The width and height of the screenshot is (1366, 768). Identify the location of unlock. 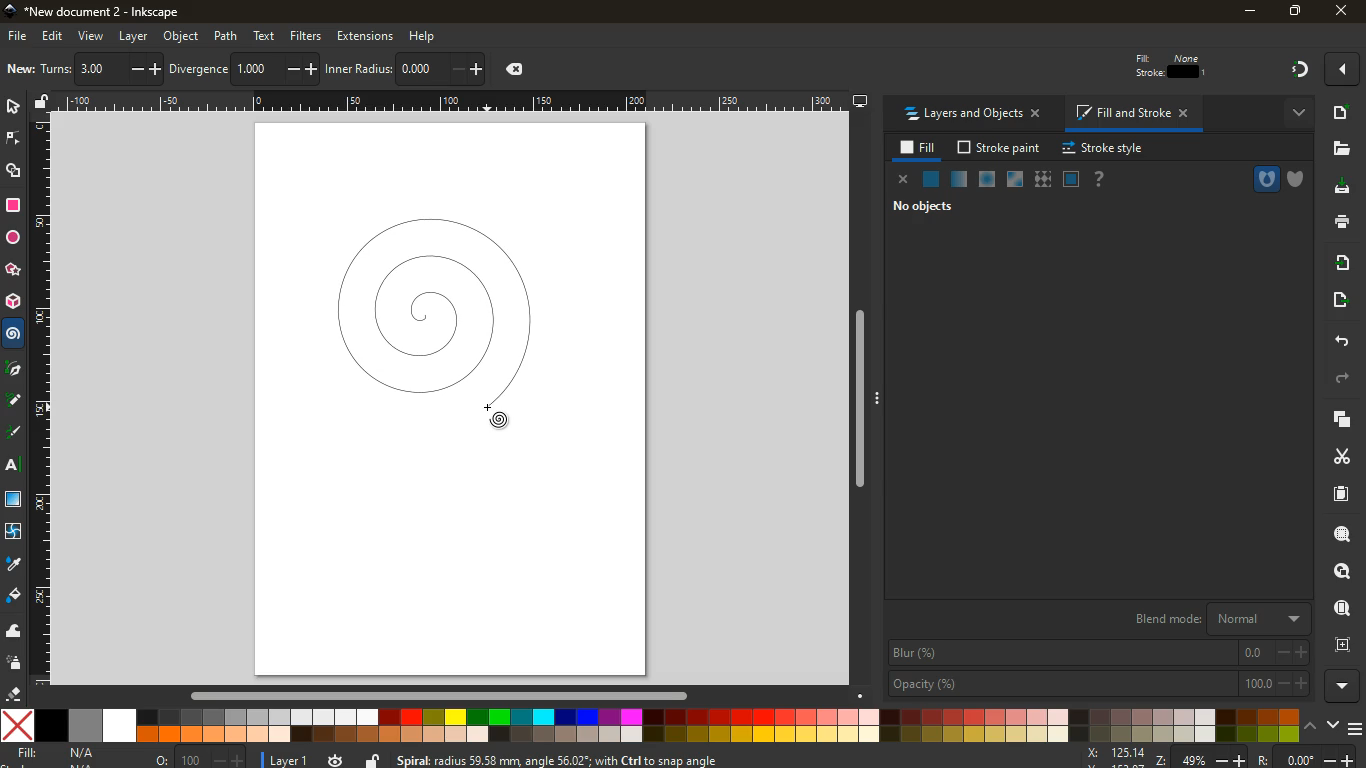
(38, 104).